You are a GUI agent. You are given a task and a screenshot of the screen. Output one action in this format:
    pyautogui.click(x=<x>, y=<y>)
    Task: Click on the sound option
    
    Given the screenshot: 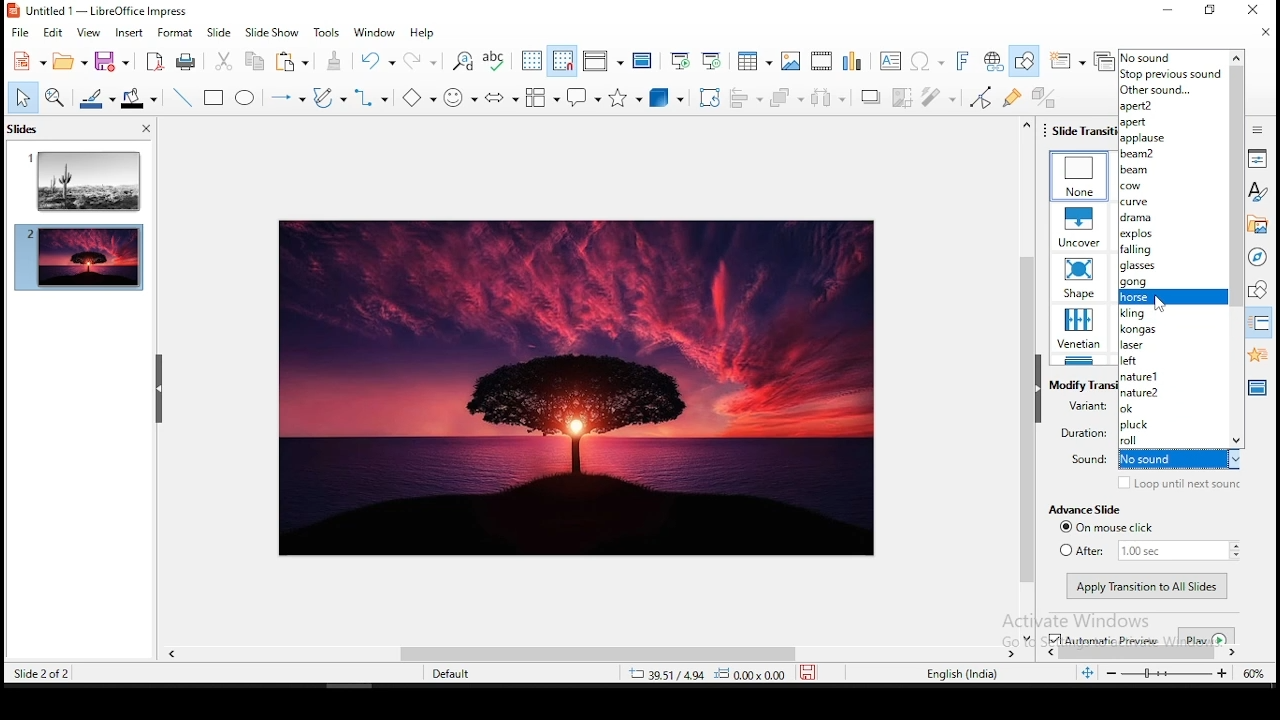 What is the action you would take?
    pyautogui.click(x=1172, y=296)
    